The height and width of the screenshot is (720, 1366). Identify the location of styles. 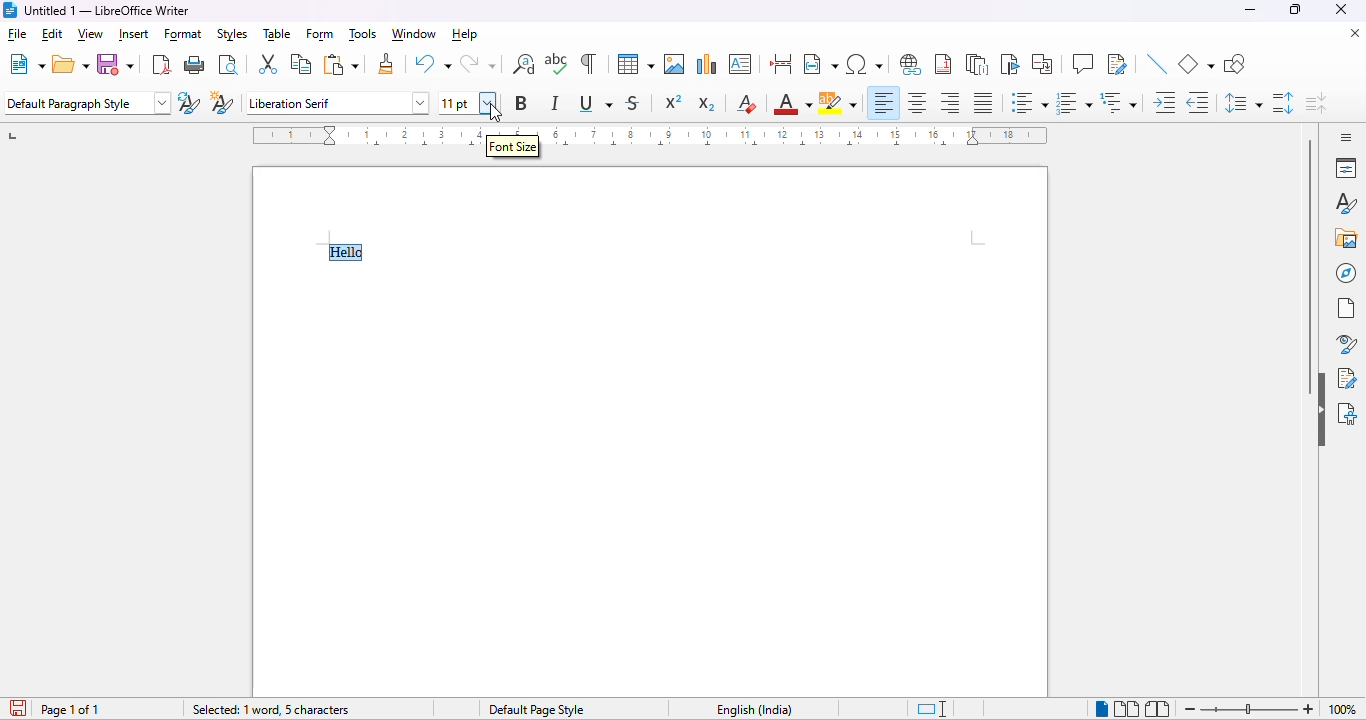
(232, 34).